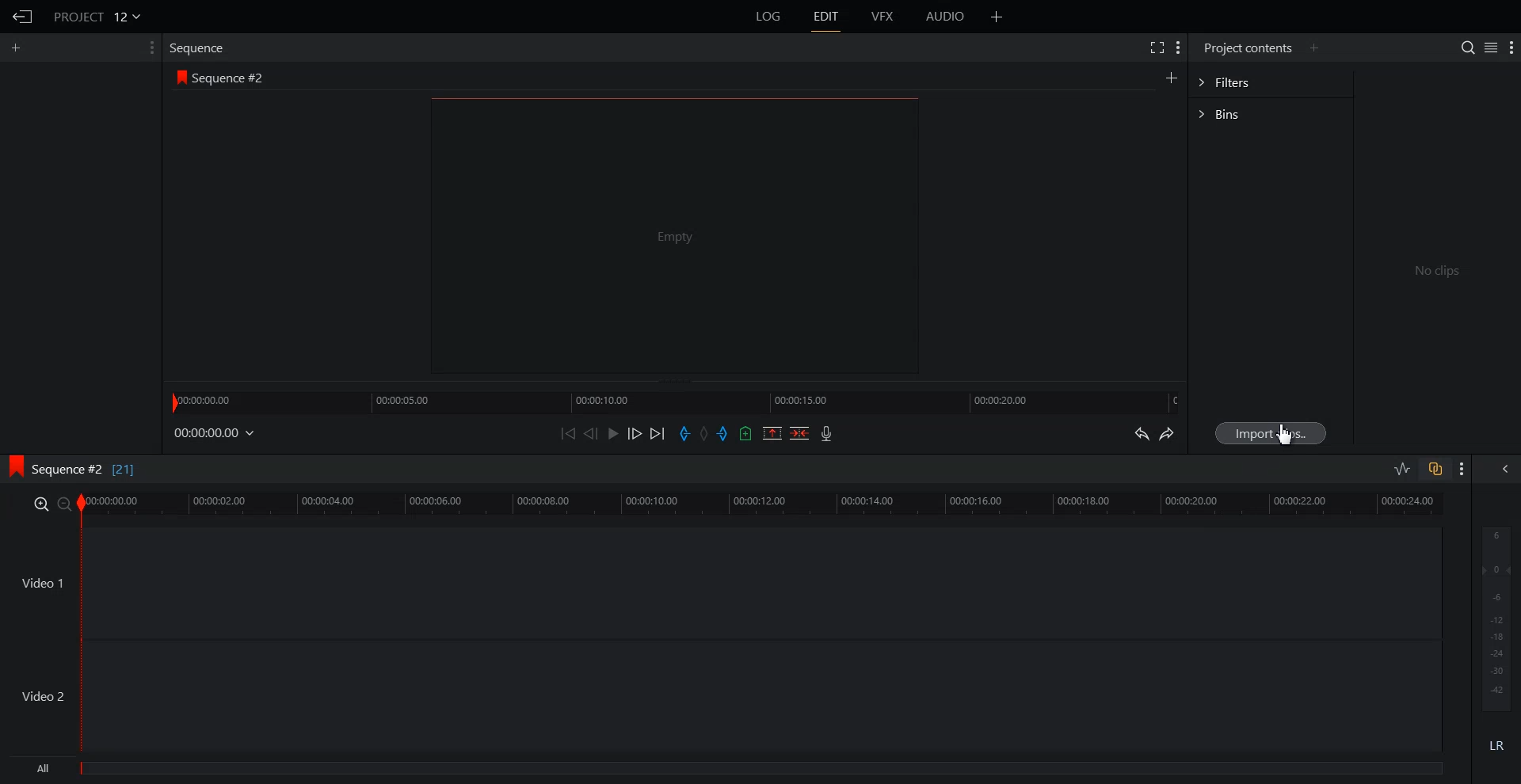 This screenshot has height=784, width=1521. I want to click on Toggle Auto track Sync, so click(1434, 469).